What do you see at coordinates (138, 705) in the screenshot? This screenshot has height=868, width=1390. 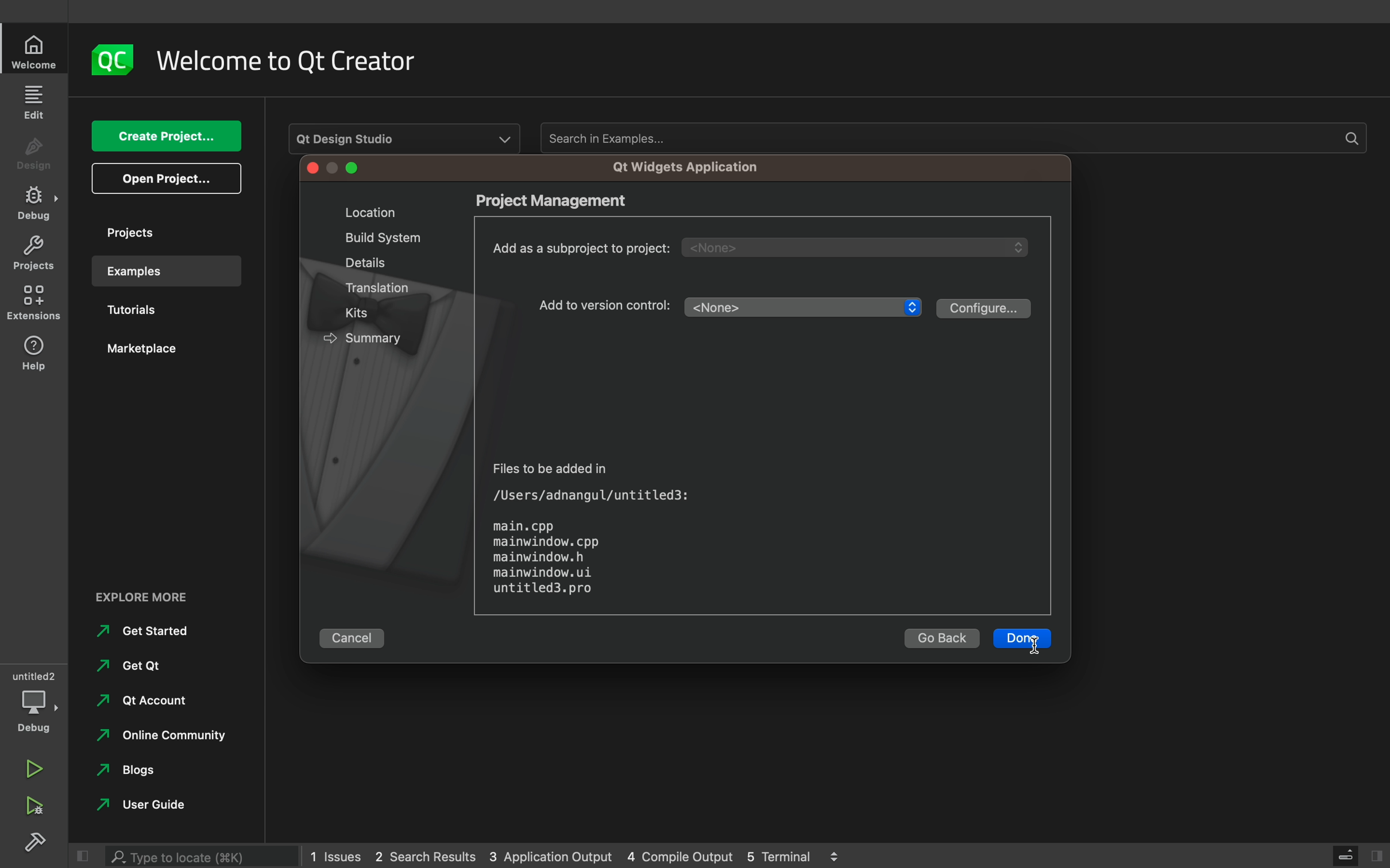 I see `Qt account` at bounding box center [138, 705].